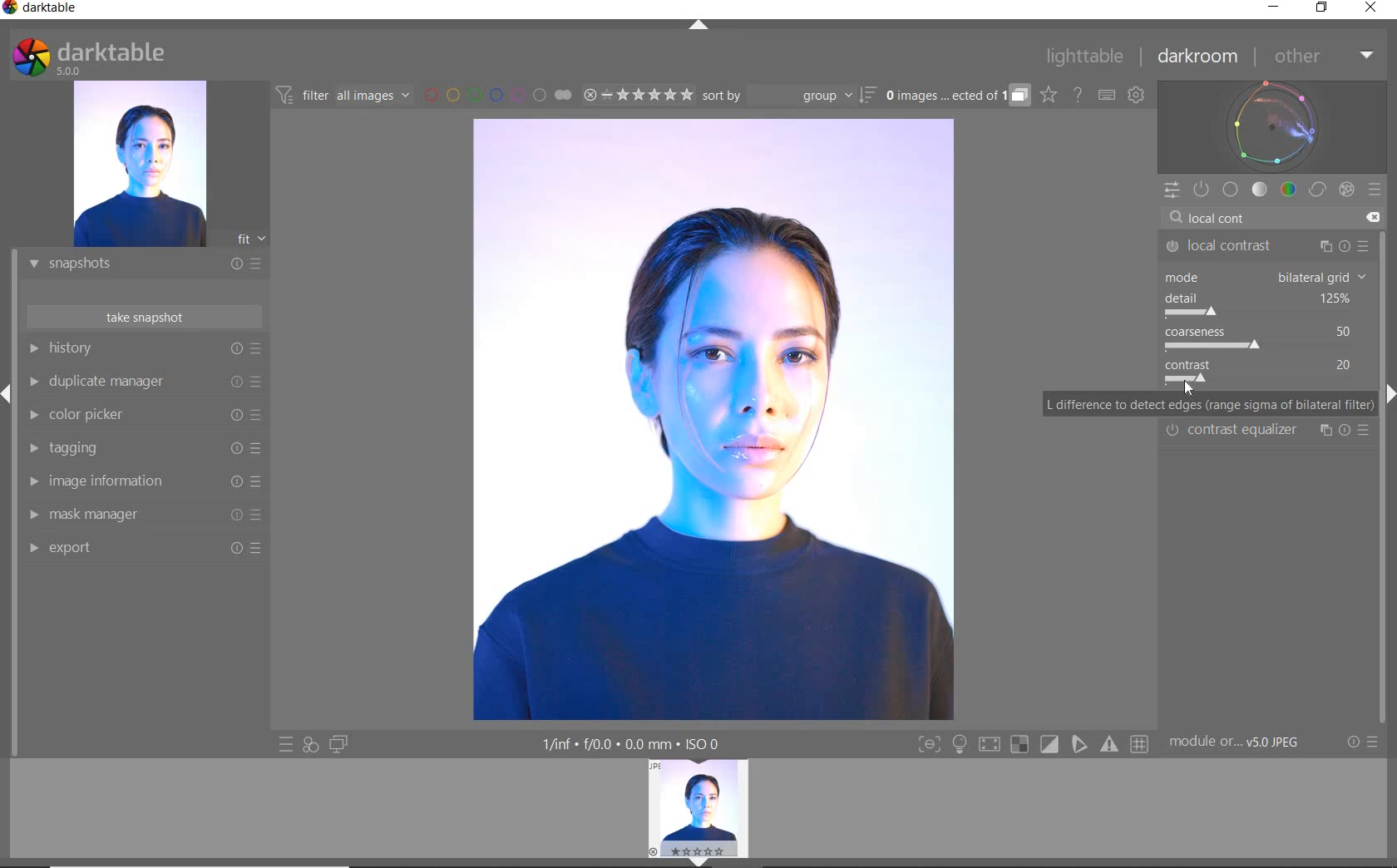  What do you see at coordinates (1365, 742) in the screenshot?
I see `RESET OR PRESETS & PREFERENCES` at bounding box center [1365, 742].